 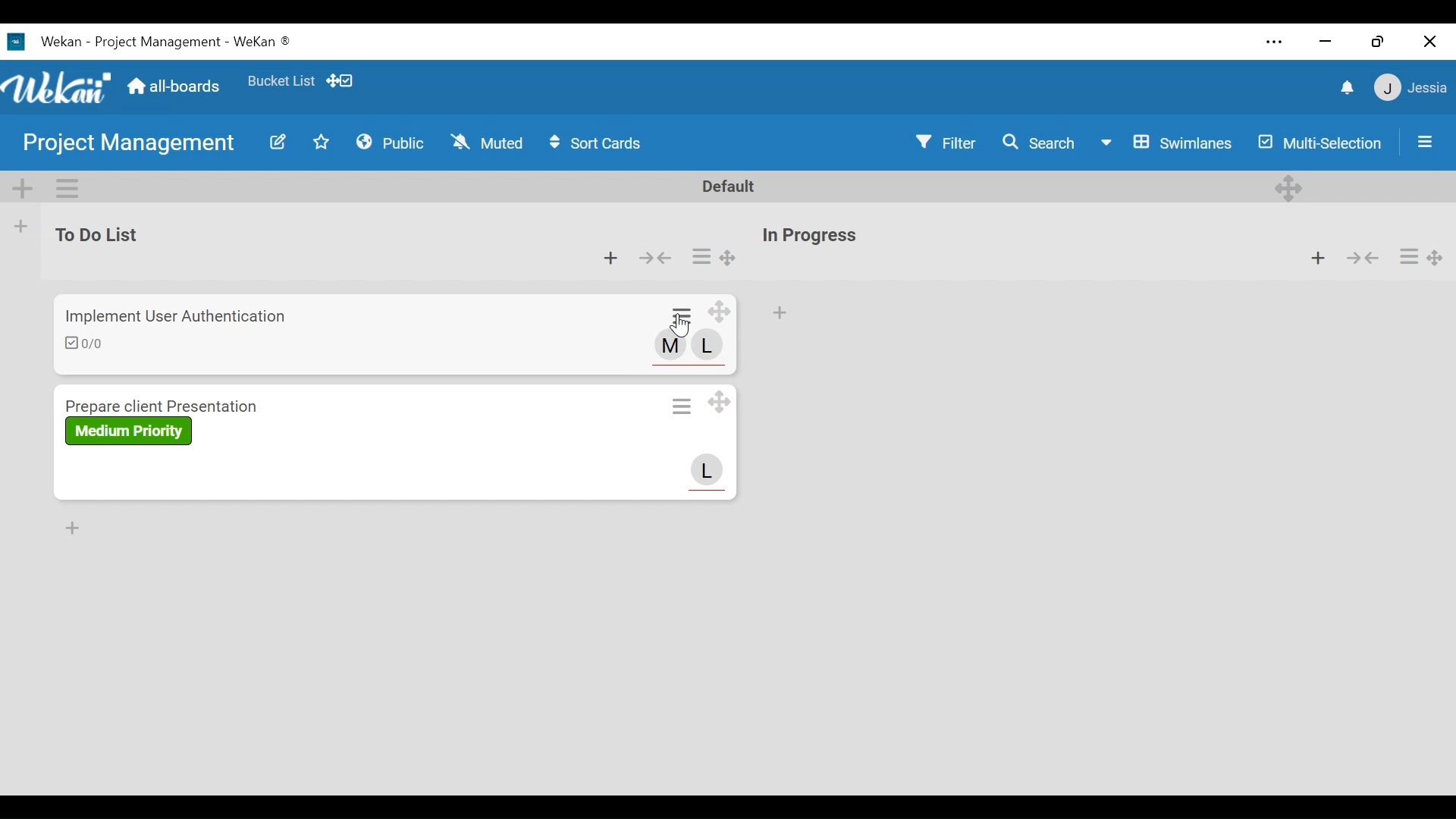 What do you see at coordinates (717, 403) in the screenshot?
I see `Desktop drag handle` at bounding box center [717, 403].